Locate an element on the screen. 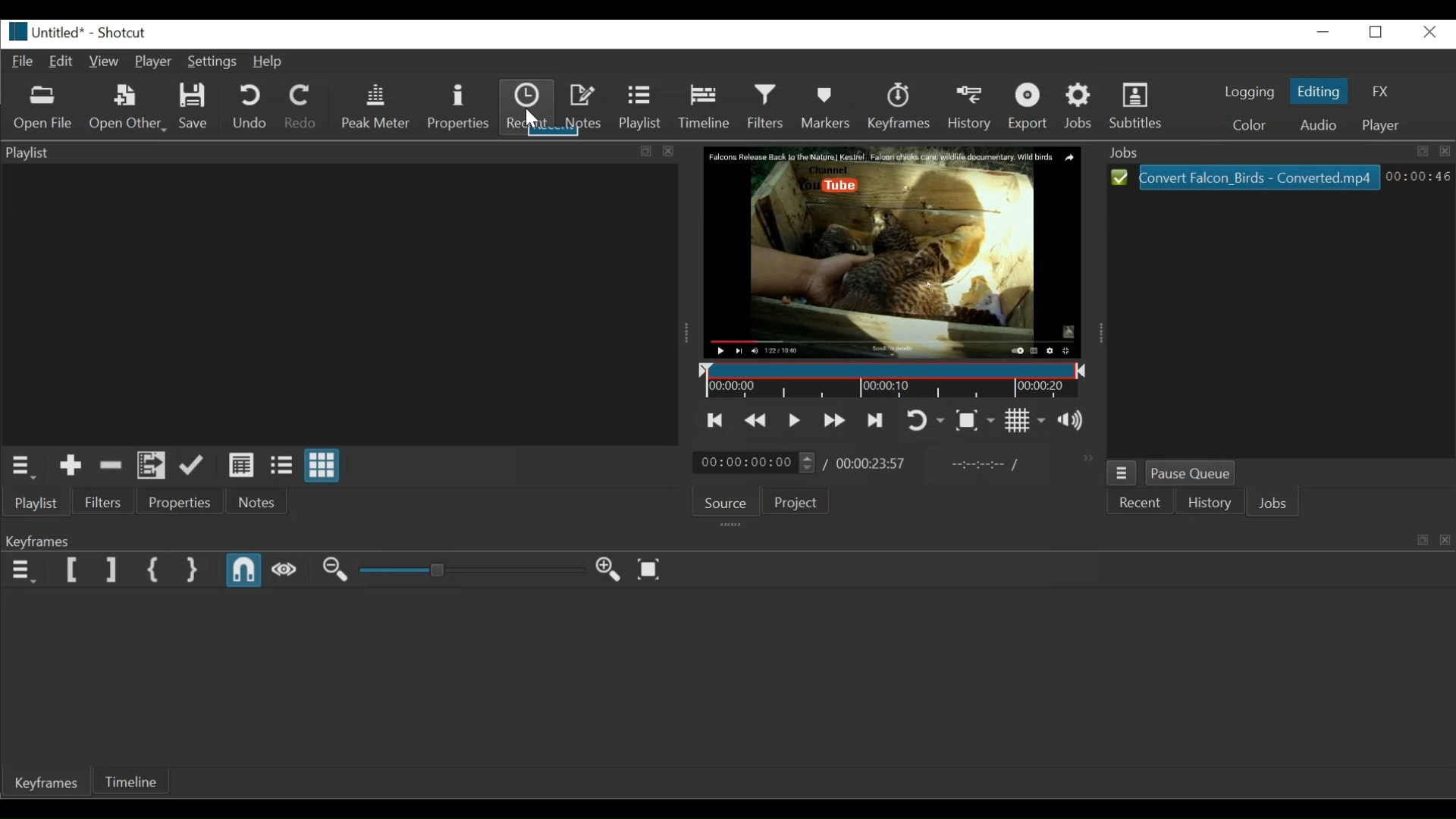  Set Filter Last is located at coordinates (112, 570).